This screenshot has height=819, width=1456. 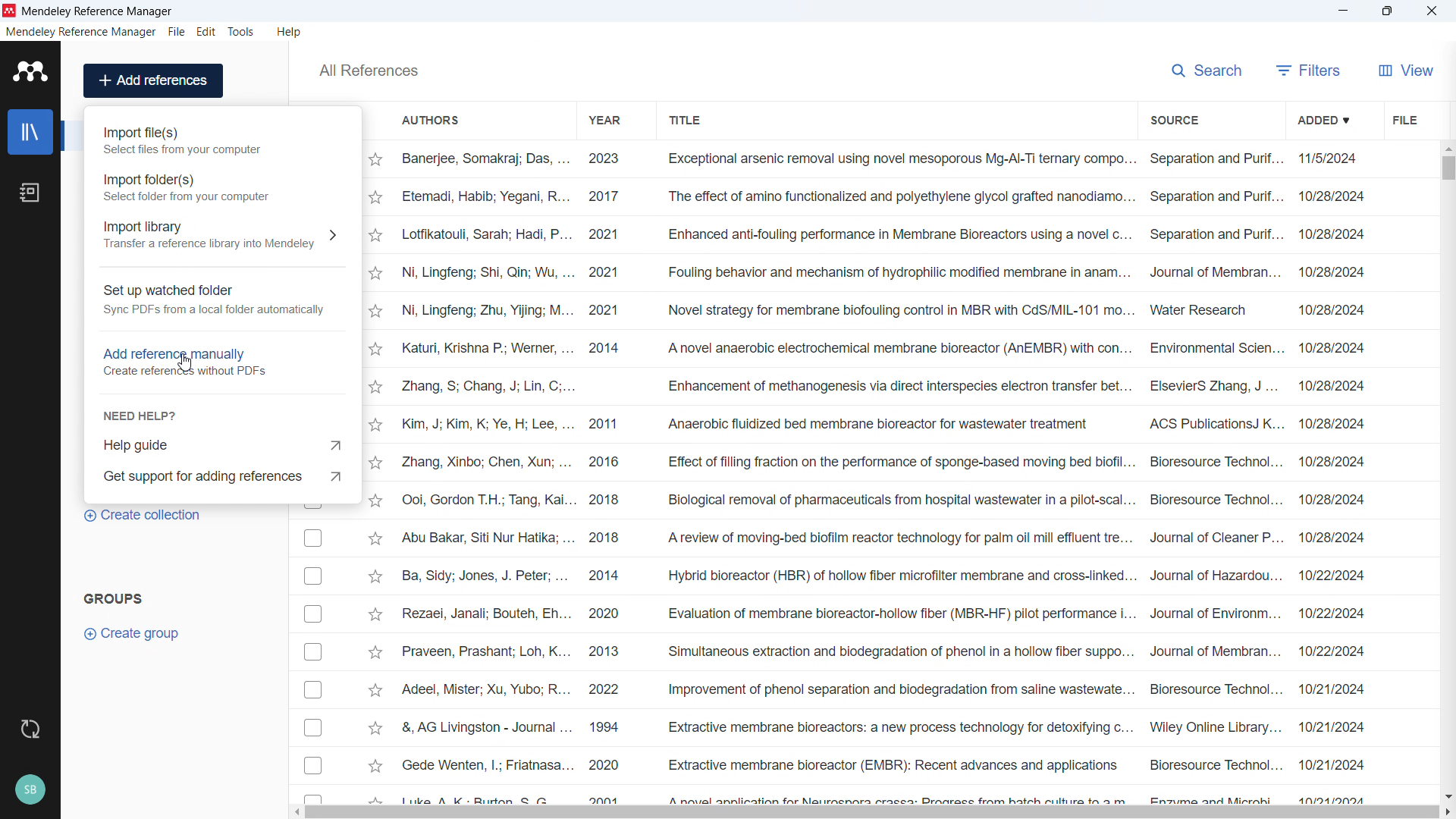 I want to click on minimise , so click(x=1344, y=11).